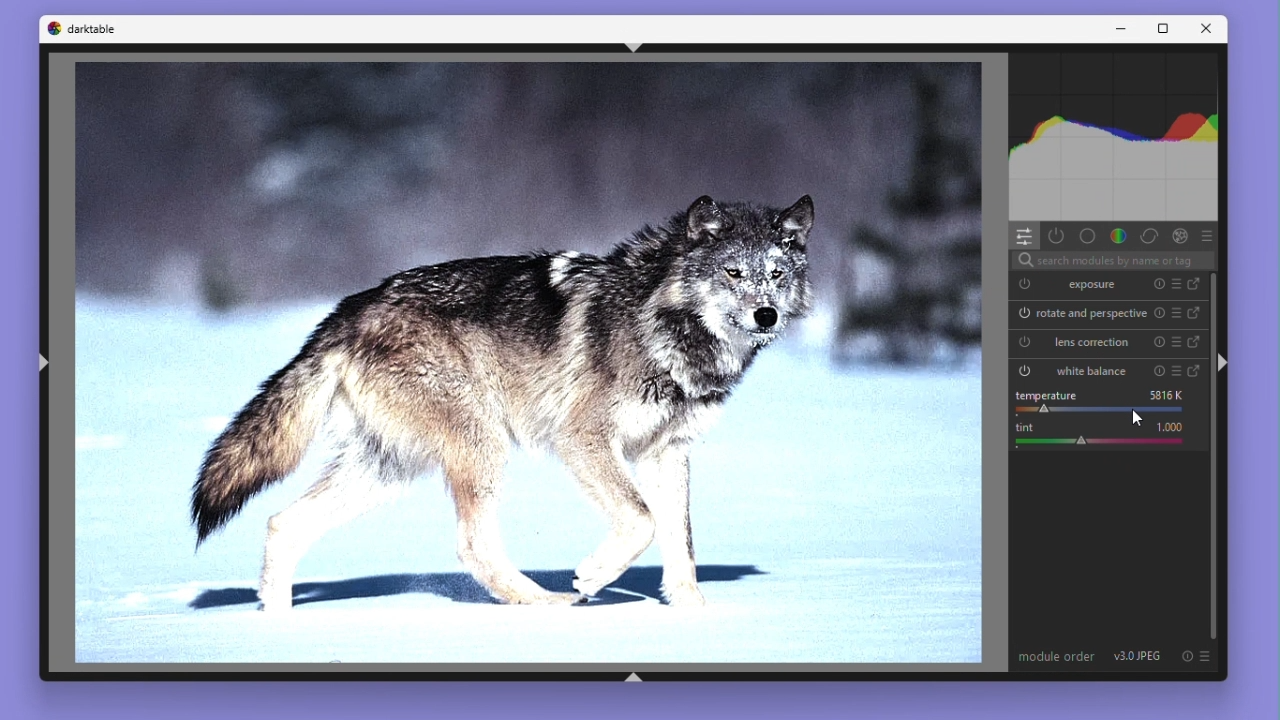 The height and width of the screenshot is (720, 1280). I want to click on Reset, so click(1185, 656).